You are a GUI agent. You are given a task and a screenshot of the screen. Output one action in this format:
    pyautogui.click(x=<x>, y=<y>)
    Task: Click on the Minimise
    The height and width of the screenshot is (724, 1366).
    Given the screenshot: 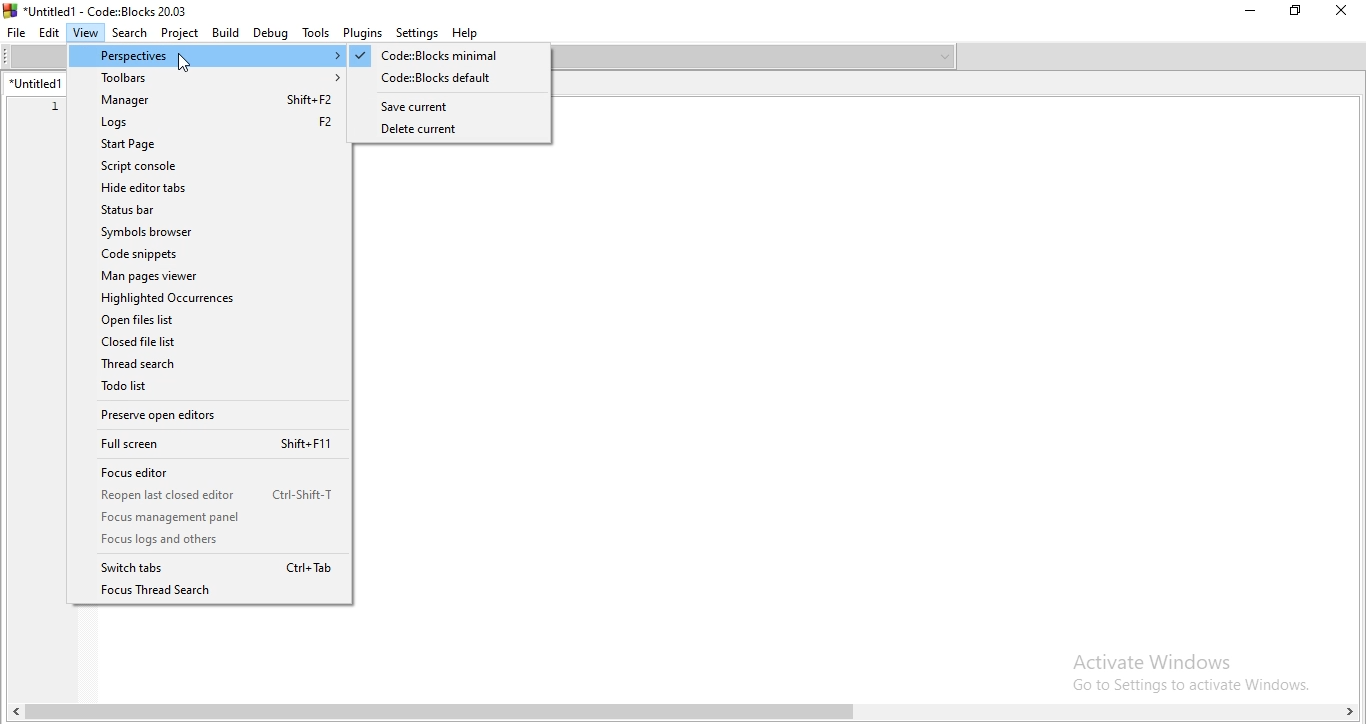 What is the action you would take?
    pyautogui.click(x=1250, y=12)
    